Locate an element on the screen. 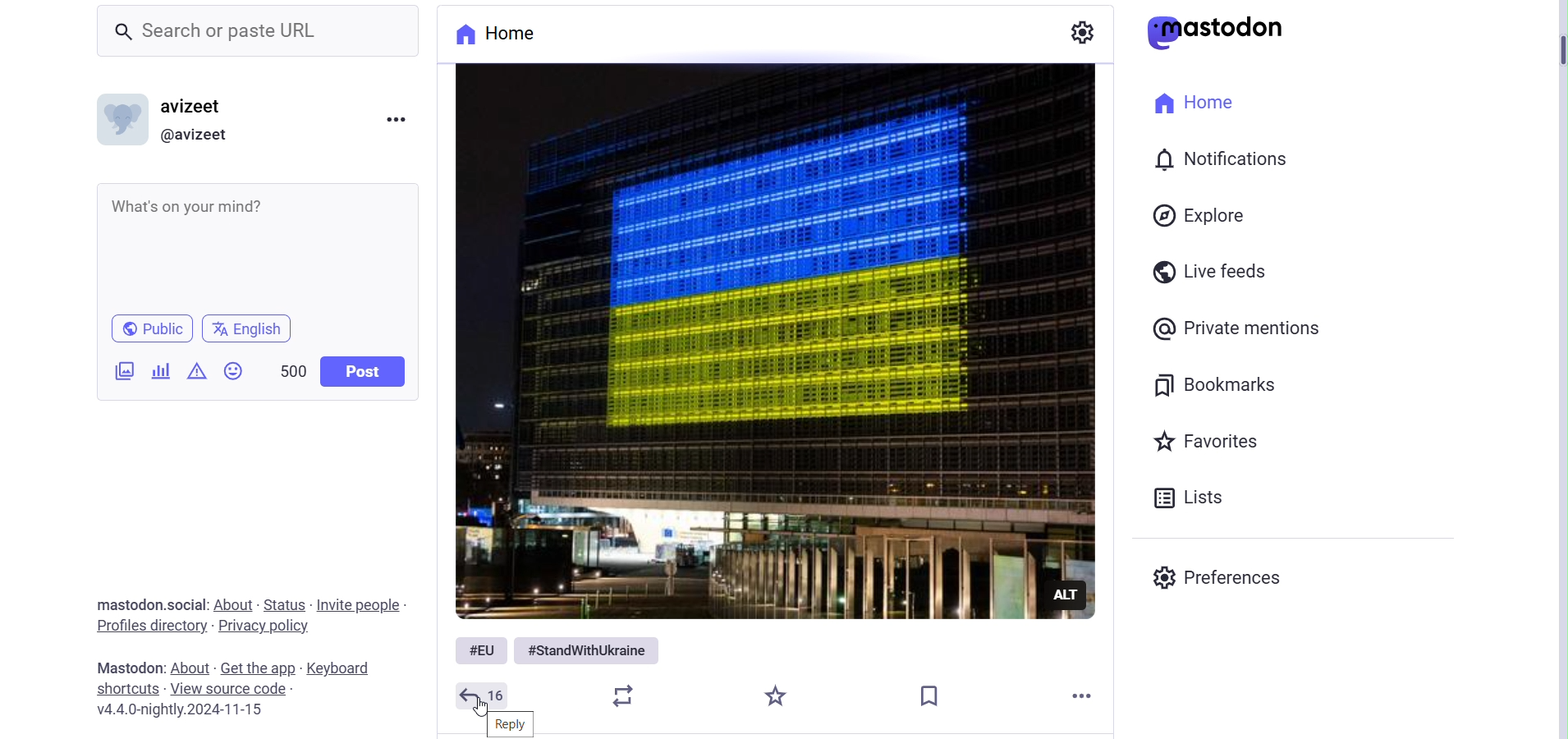 This screenshot has width=1568, height=739. Mastodon is located at coordinates (131, 668).